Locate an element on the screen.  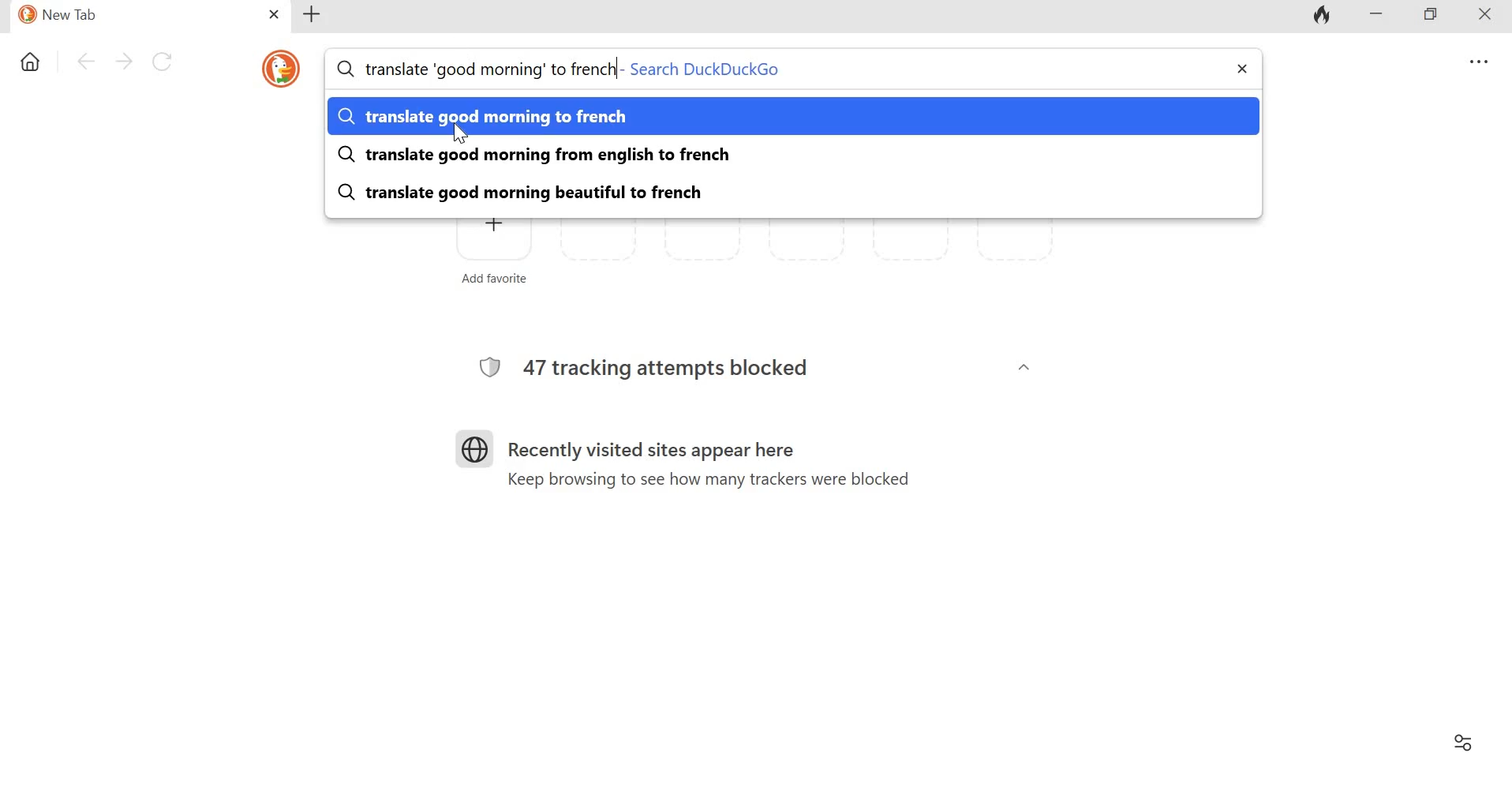
New tab is located at coordinates (316, 16).